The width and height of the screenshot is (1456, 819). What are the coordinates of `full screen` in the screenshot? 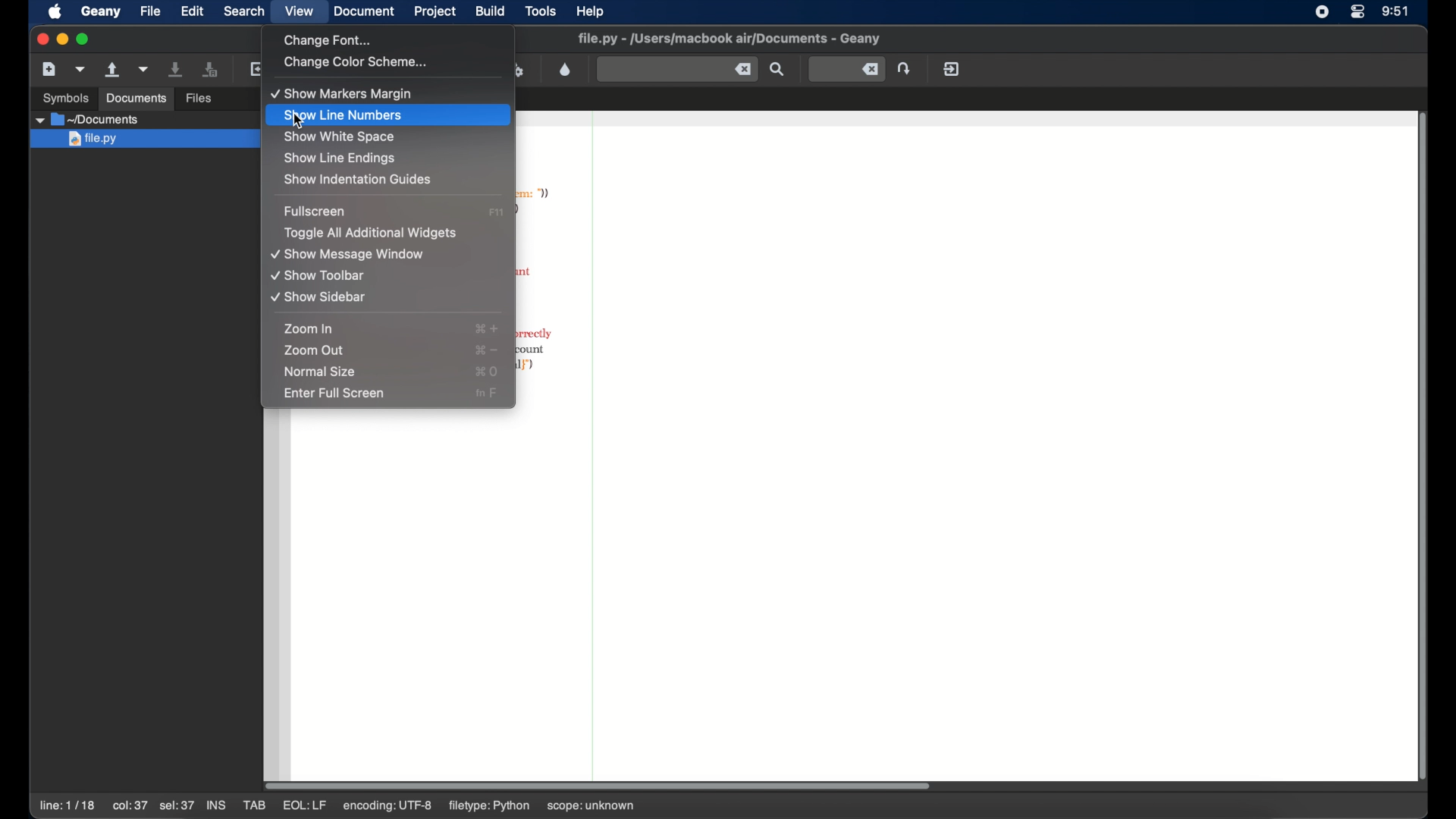 It's located at (315, 211).